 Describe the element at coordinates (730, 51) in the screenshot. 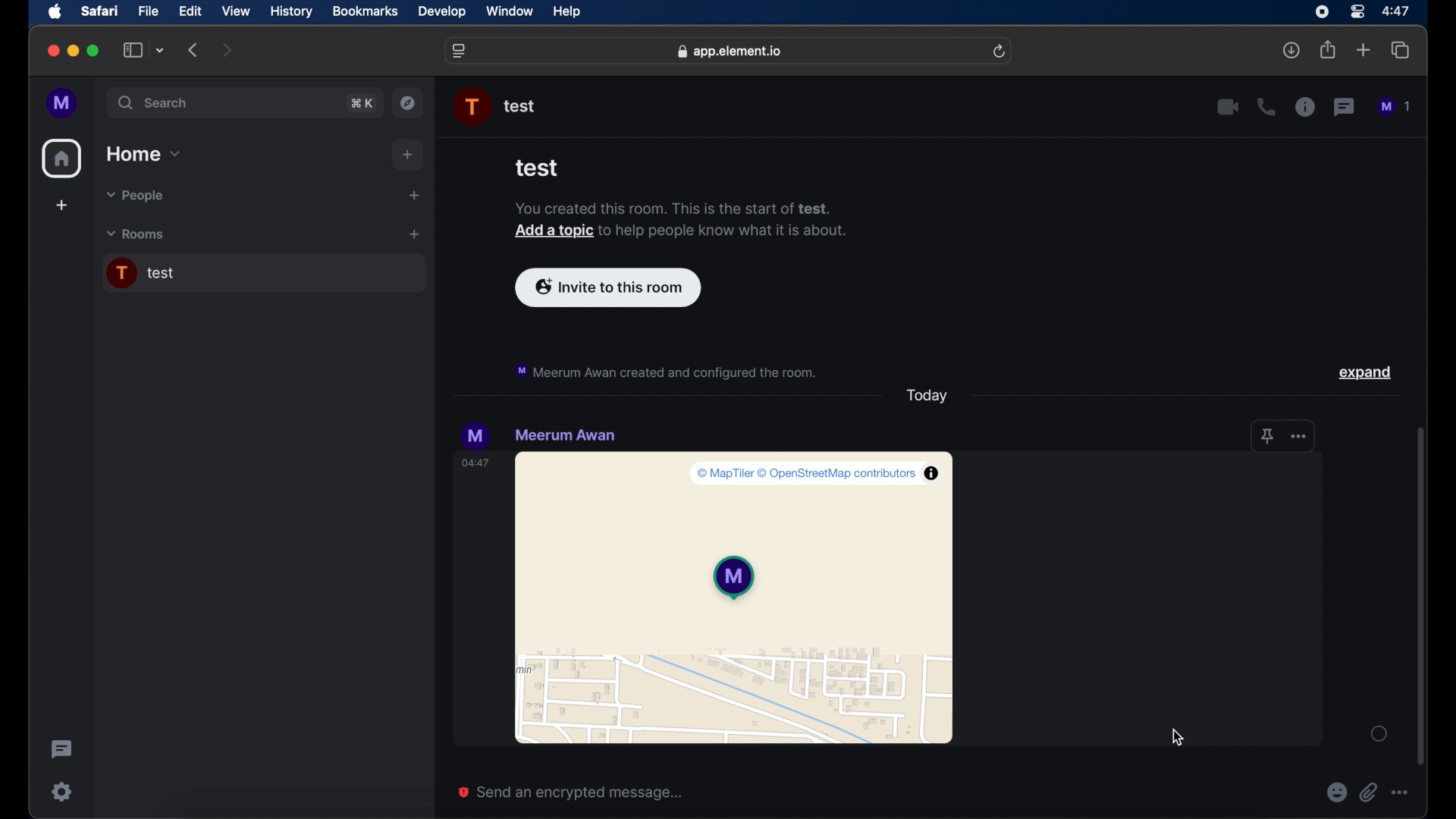

I see `web address` at that location.